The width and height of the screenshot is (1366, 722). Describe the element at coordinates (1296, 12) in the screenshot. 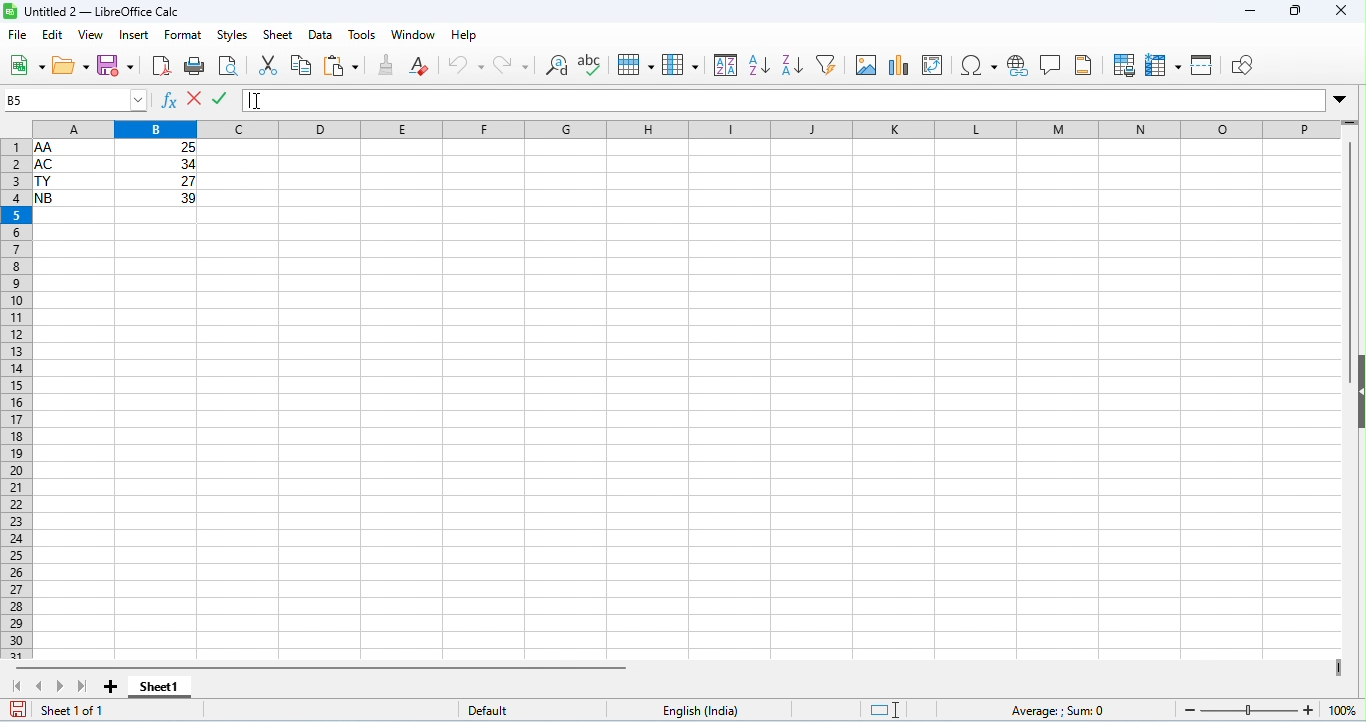

I see `maximize` at that location.